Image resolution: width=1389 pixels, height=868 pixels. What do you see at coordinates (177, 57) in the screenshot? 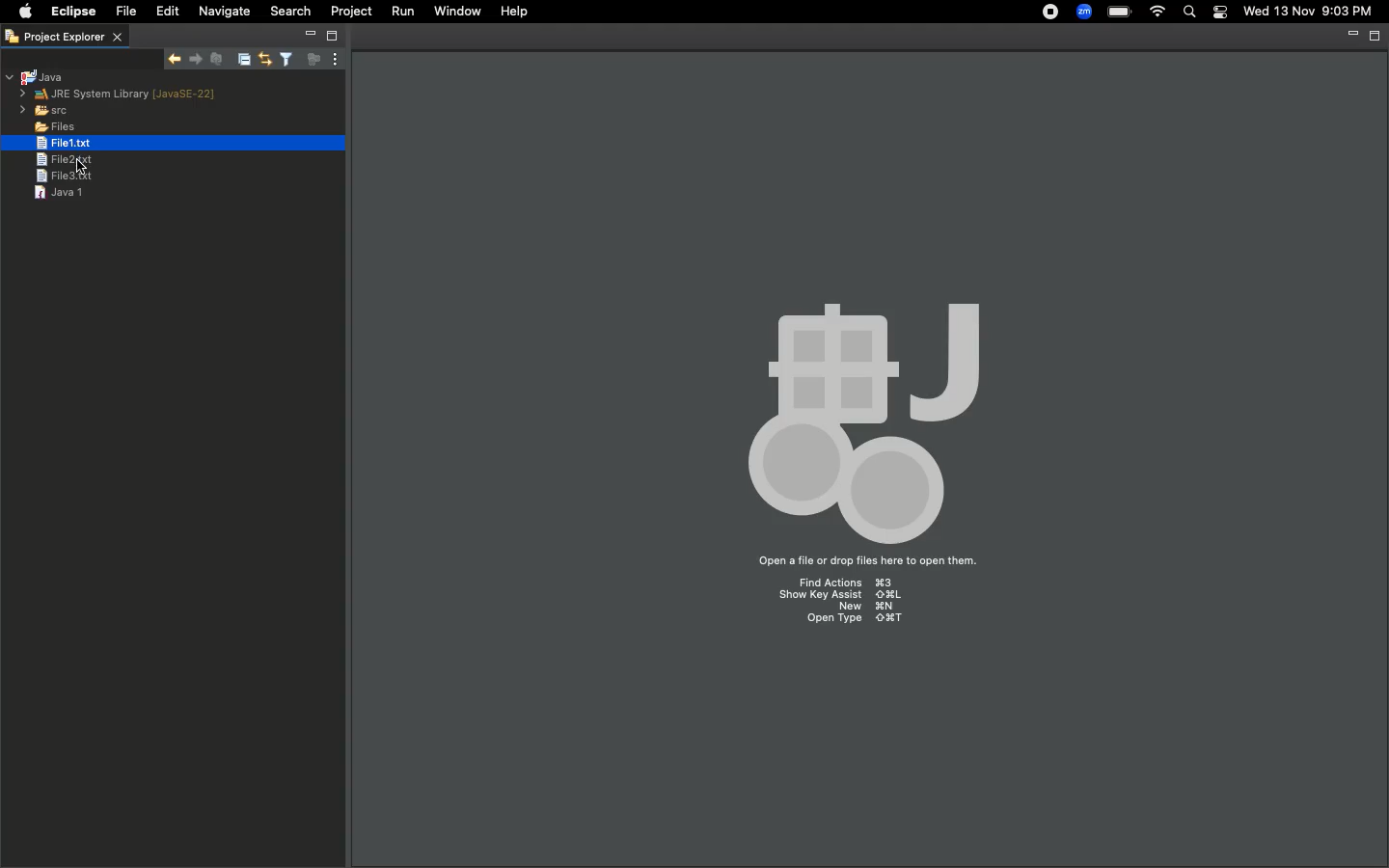
I see `Show next match` at bounding box center [177, 57].